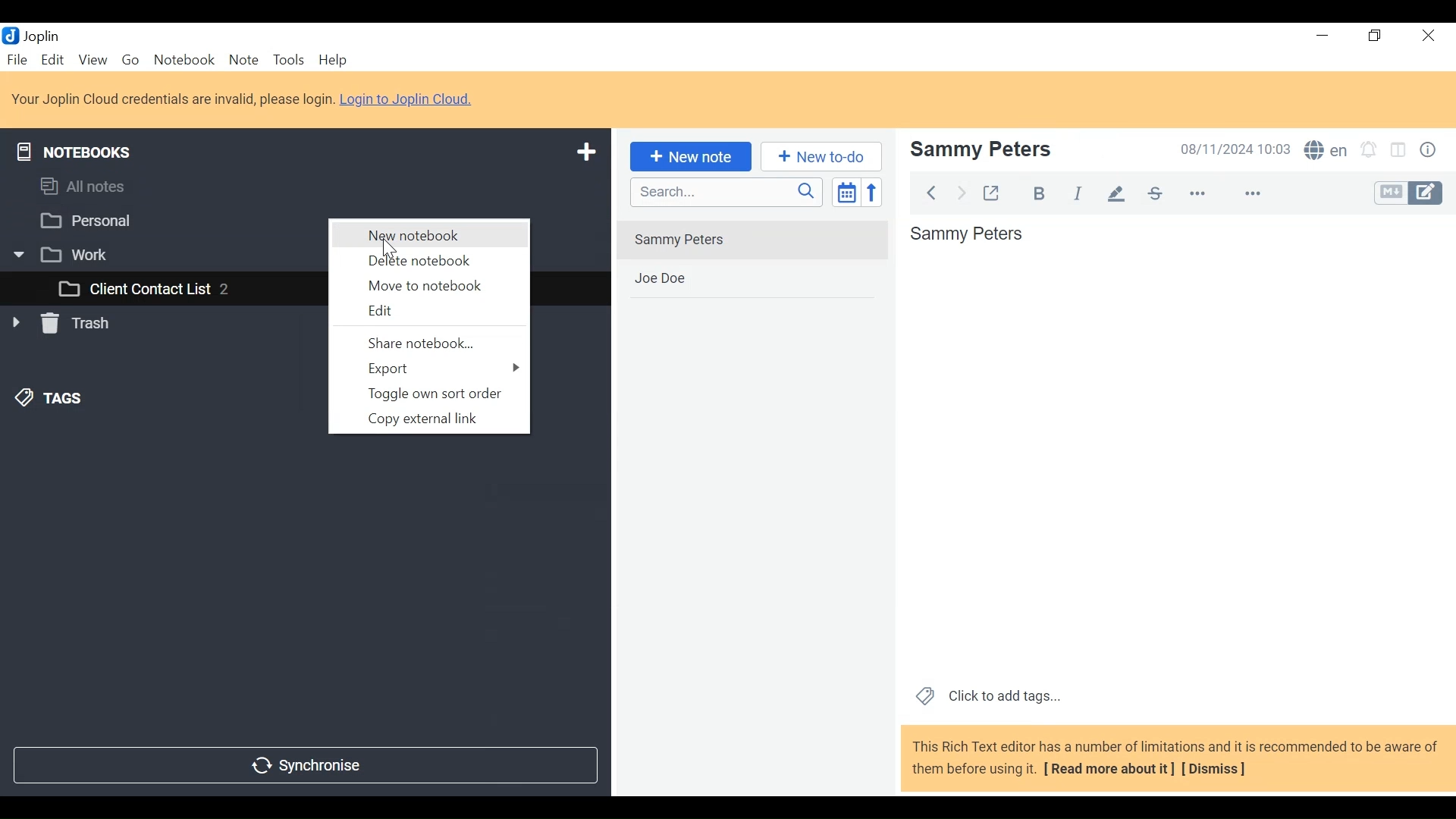 This screenshot has height=819, width=1456. What do you see at coordinates (1398, 149) in the screenshot?
I see `Toggle editor layout` at bounding box center [1398, 149].